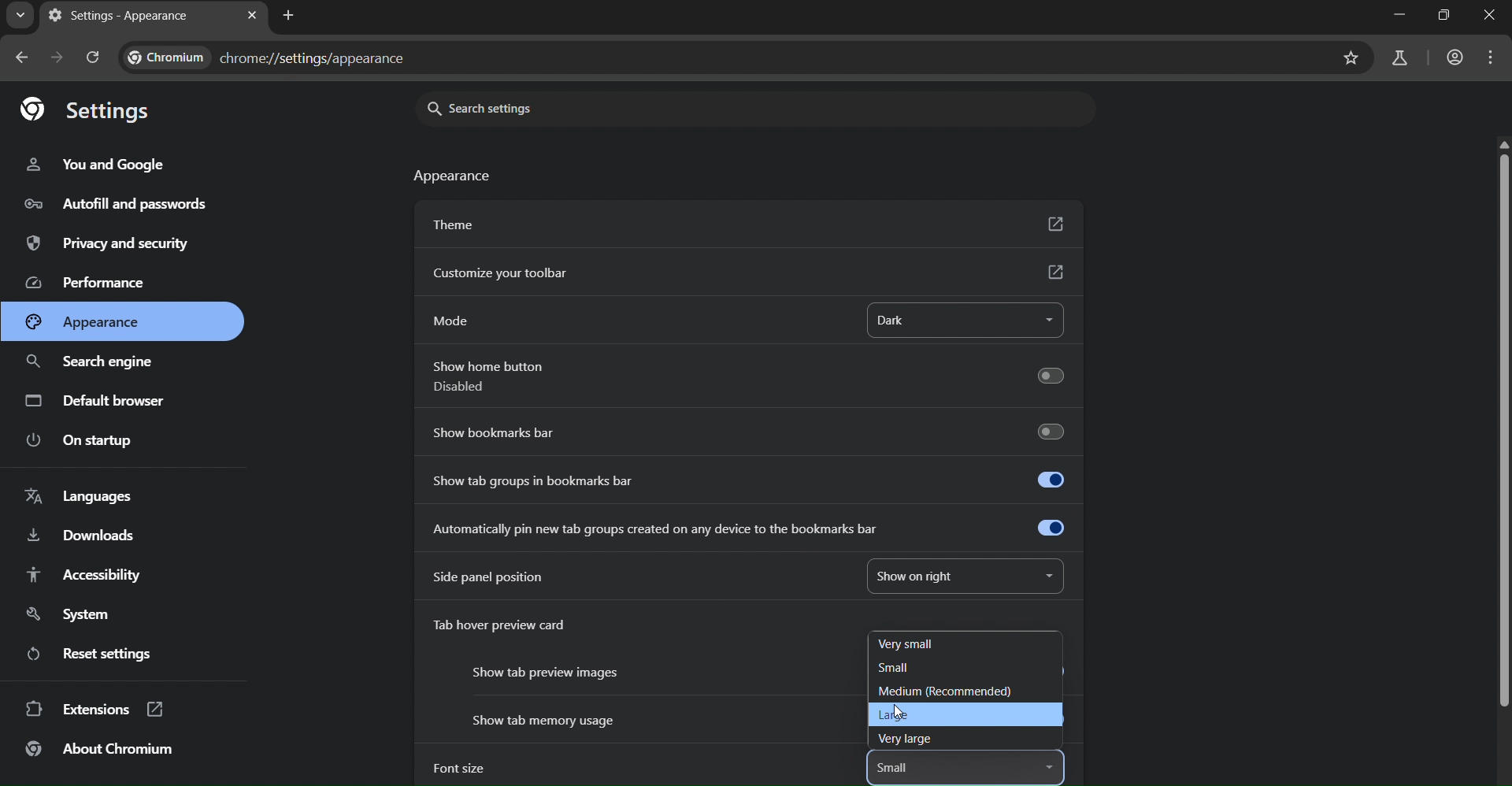 The height and width of the screenshot is (786, 1512). Describe the element at coordinates (747, 273) in the screenshot. I see `customize toolbar` at that location.